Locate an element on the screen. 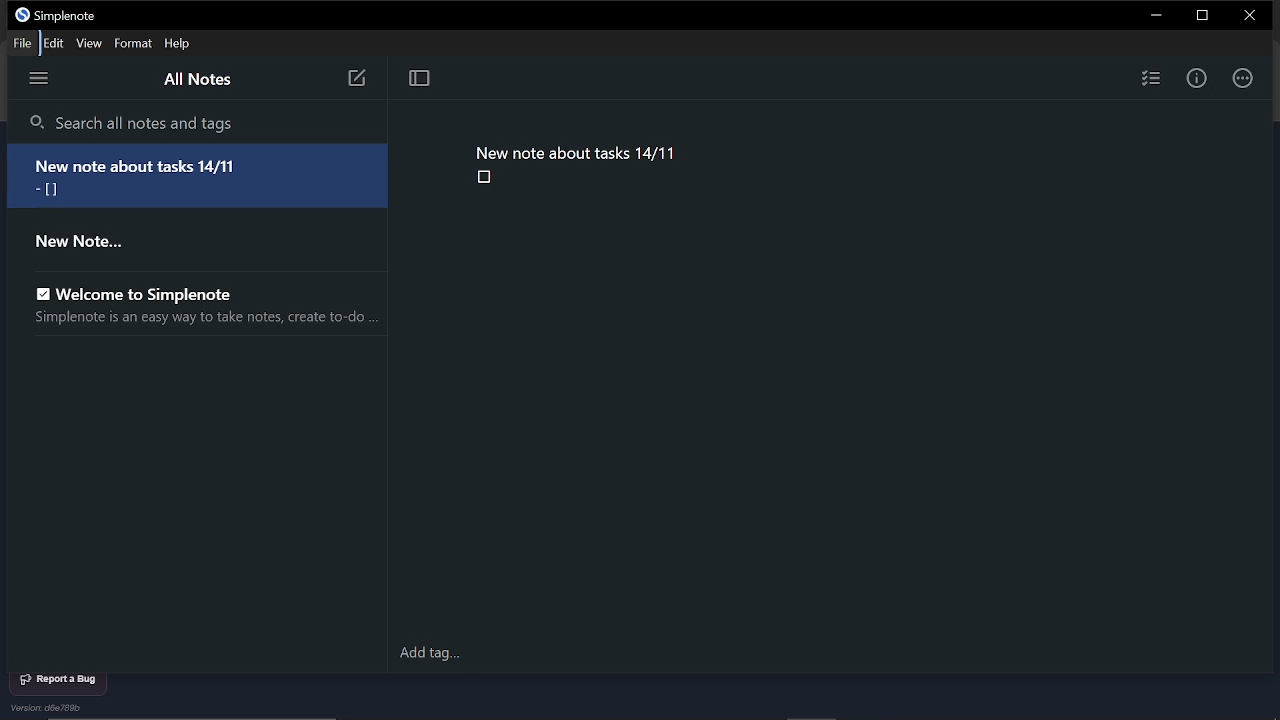  Format is located at coordinates (132, 44).